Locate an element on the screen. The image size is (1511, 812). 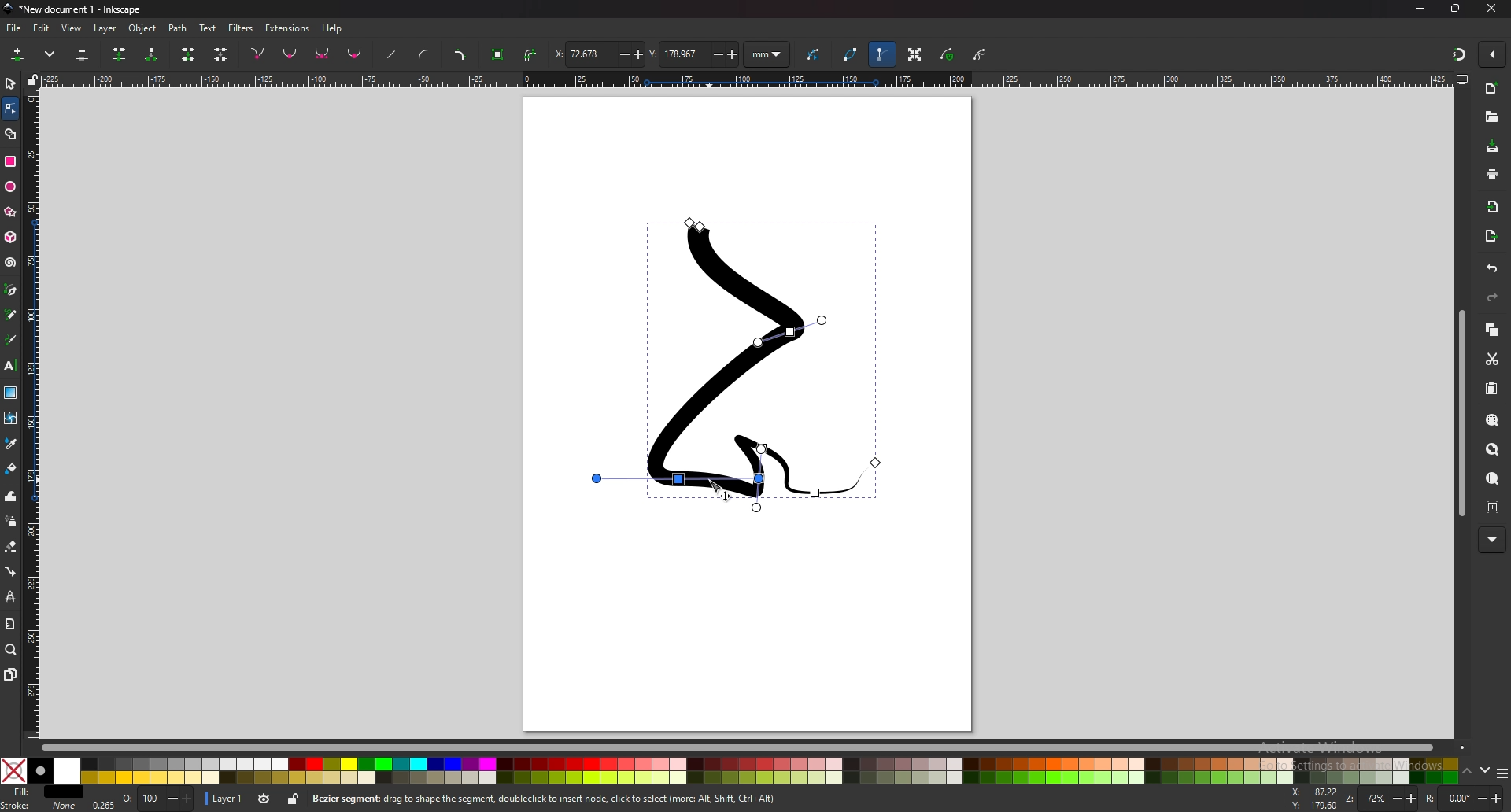
clipping path is located at coordinates (980, 54).